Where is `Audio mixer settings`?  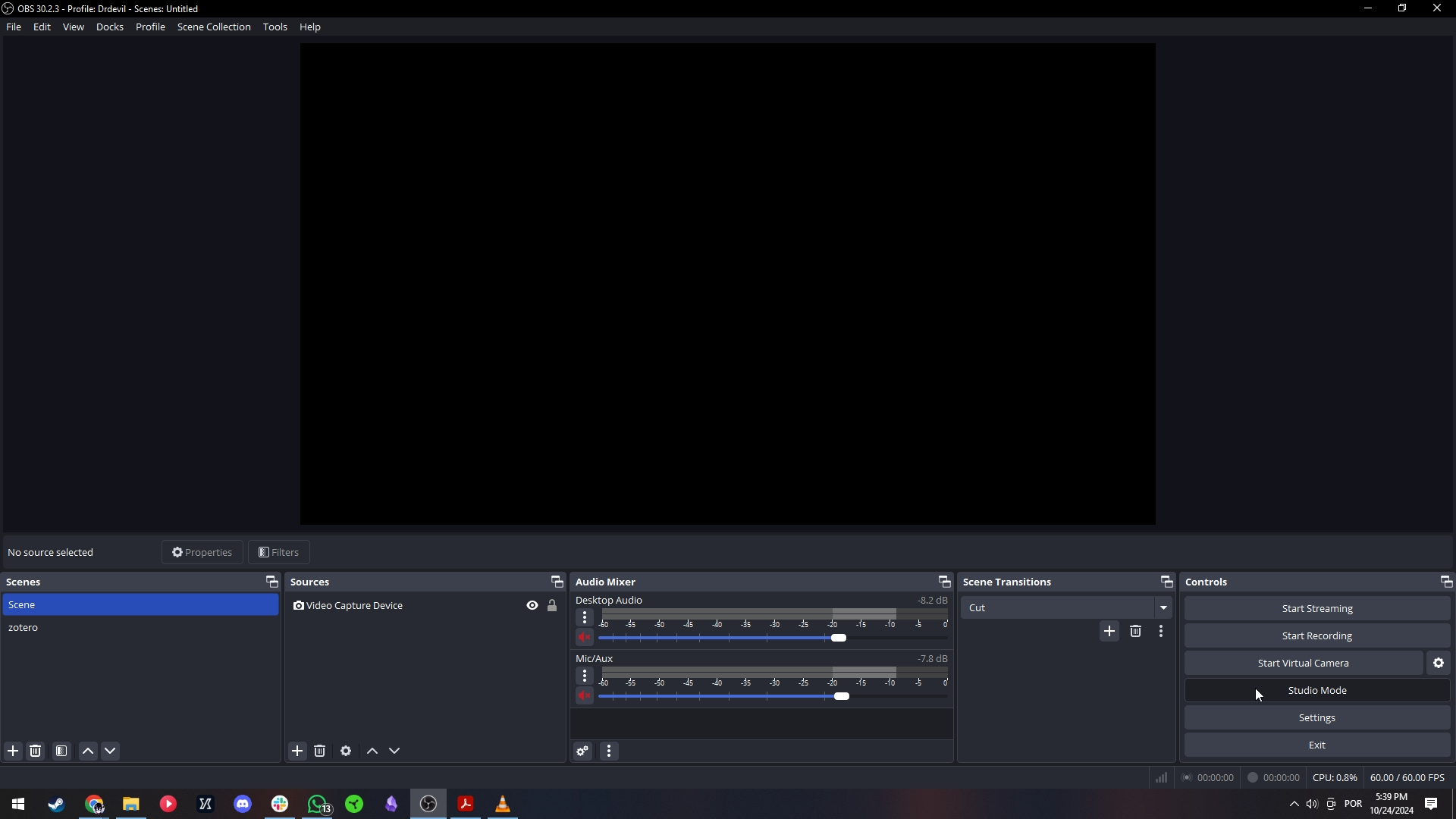
Audio mixer settings is located at coordinates (610, 752).